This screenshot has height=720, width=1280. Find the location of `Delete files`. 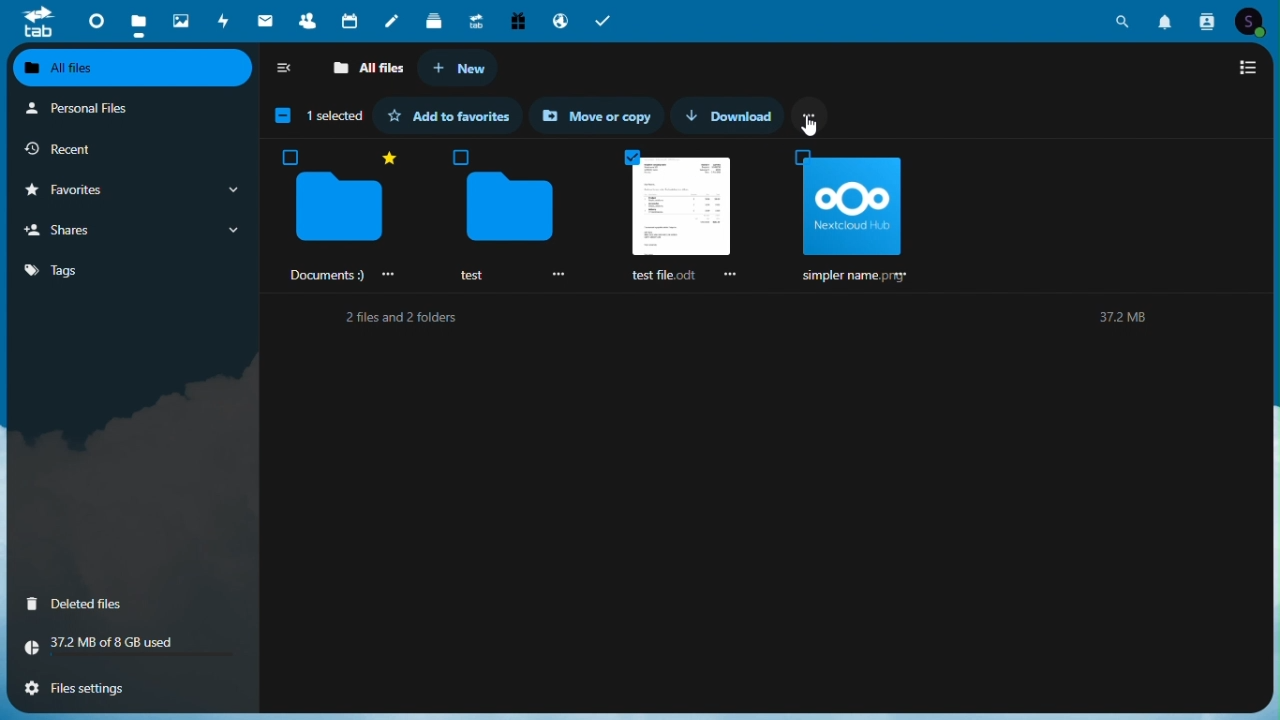

Delete files is located at coordinates (123, 605).